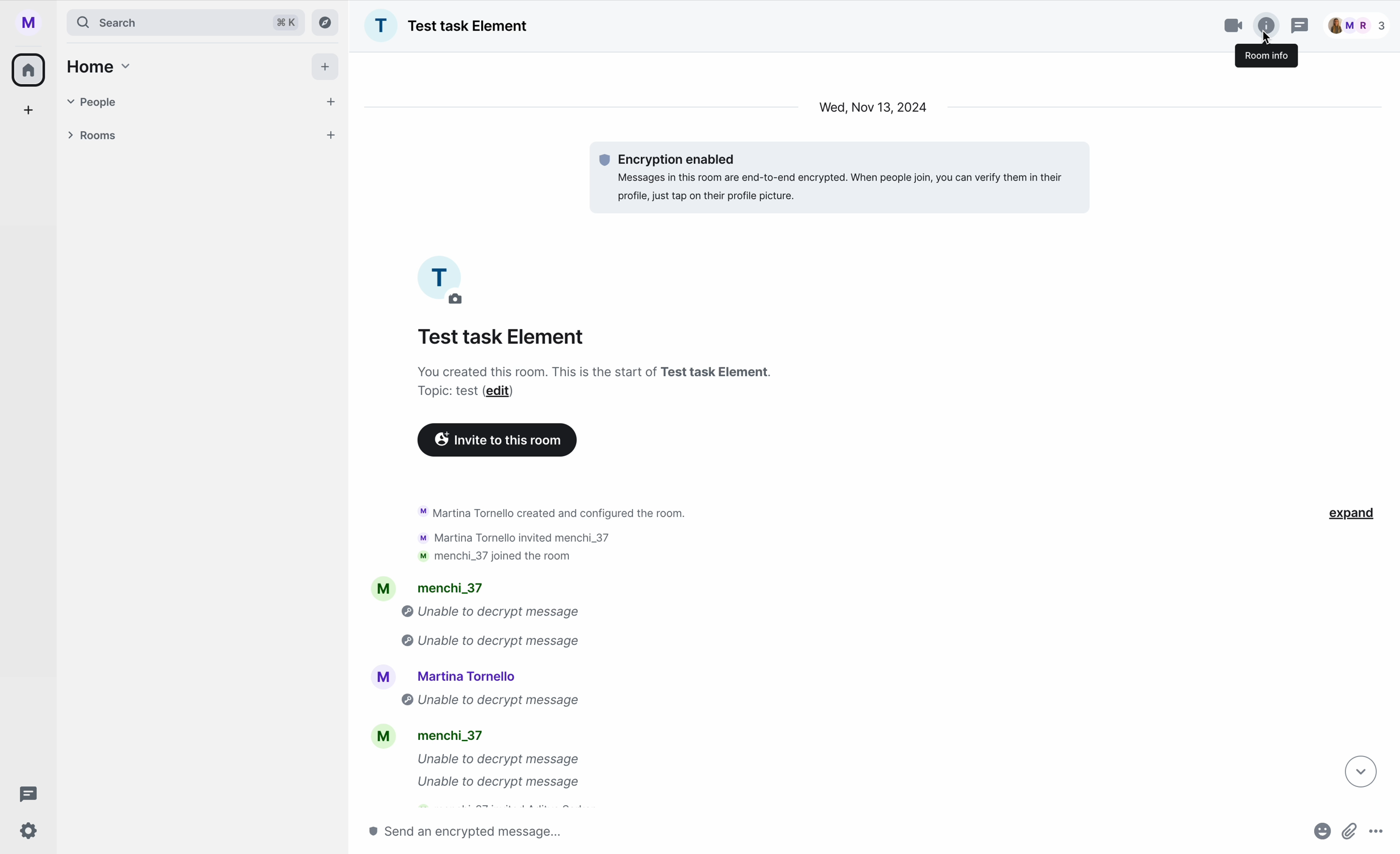  Describe the element at coordinates (324, 66) in the screenshot. I see `add` at that location.